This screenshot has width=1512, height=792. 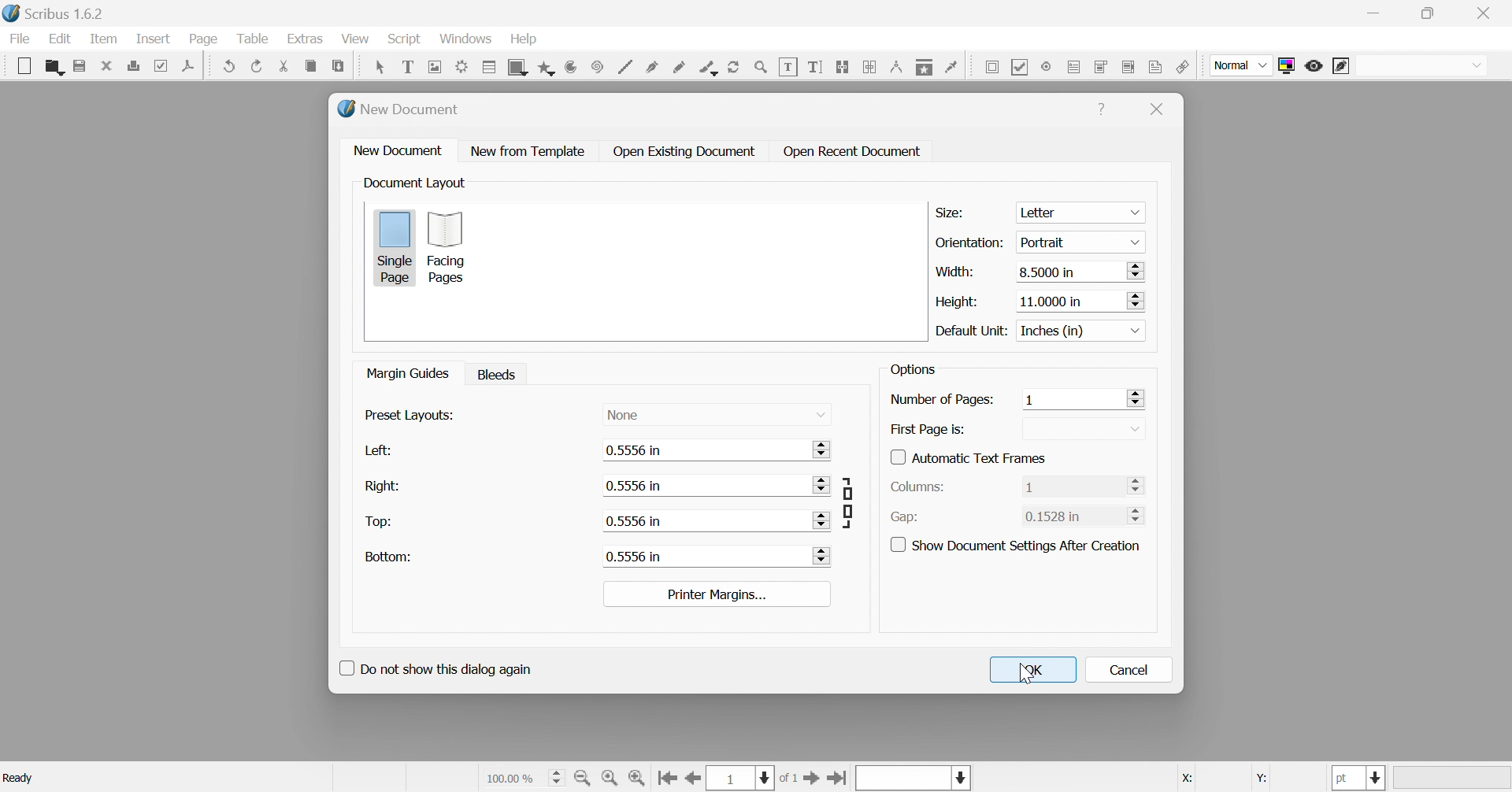 What do you see at coordinates (138, 65) in the screenshot?
I see `print` at bounding box center [138, 65].